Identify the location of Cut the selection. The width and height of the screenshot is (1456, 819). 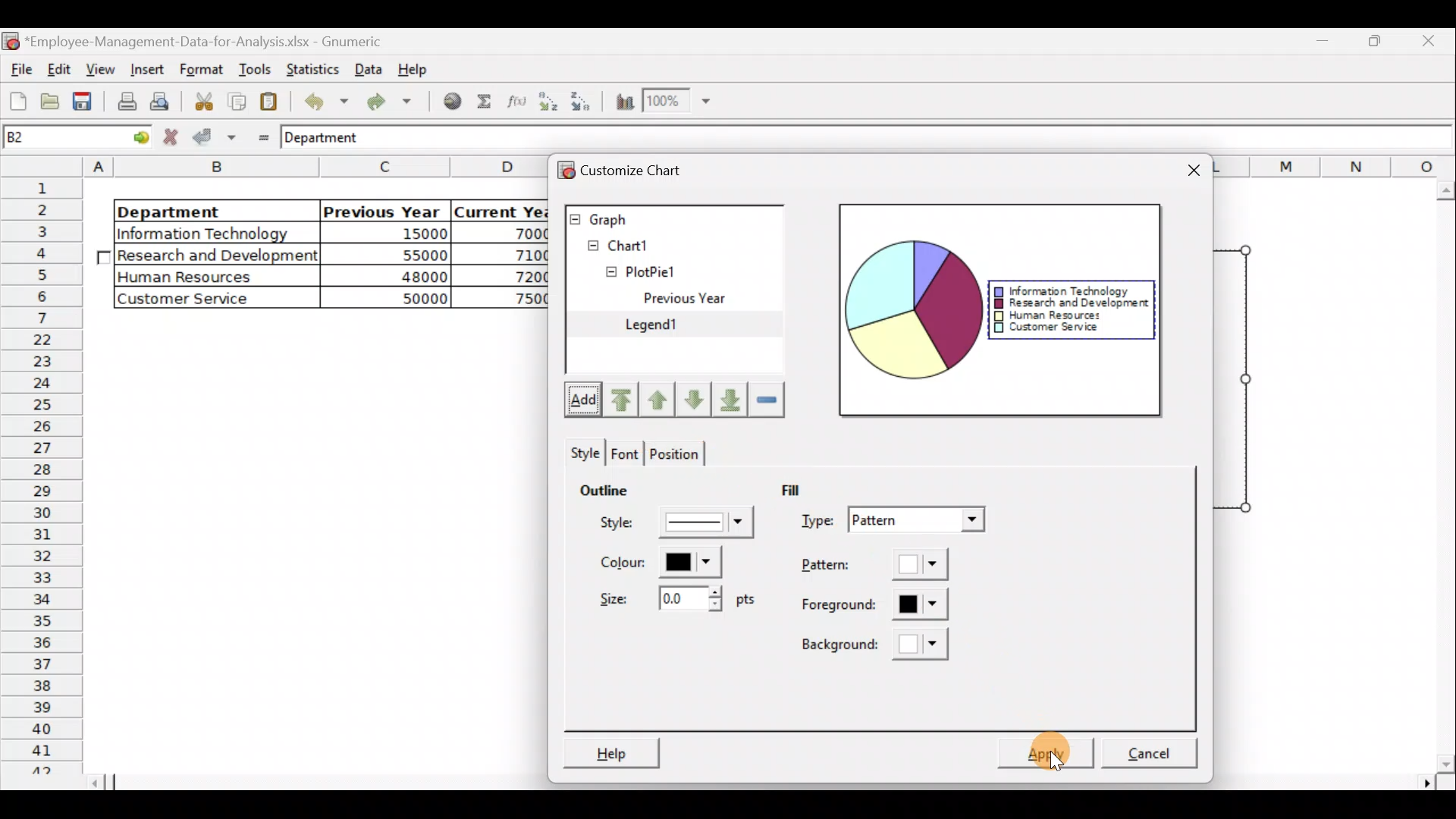
(203, 99).